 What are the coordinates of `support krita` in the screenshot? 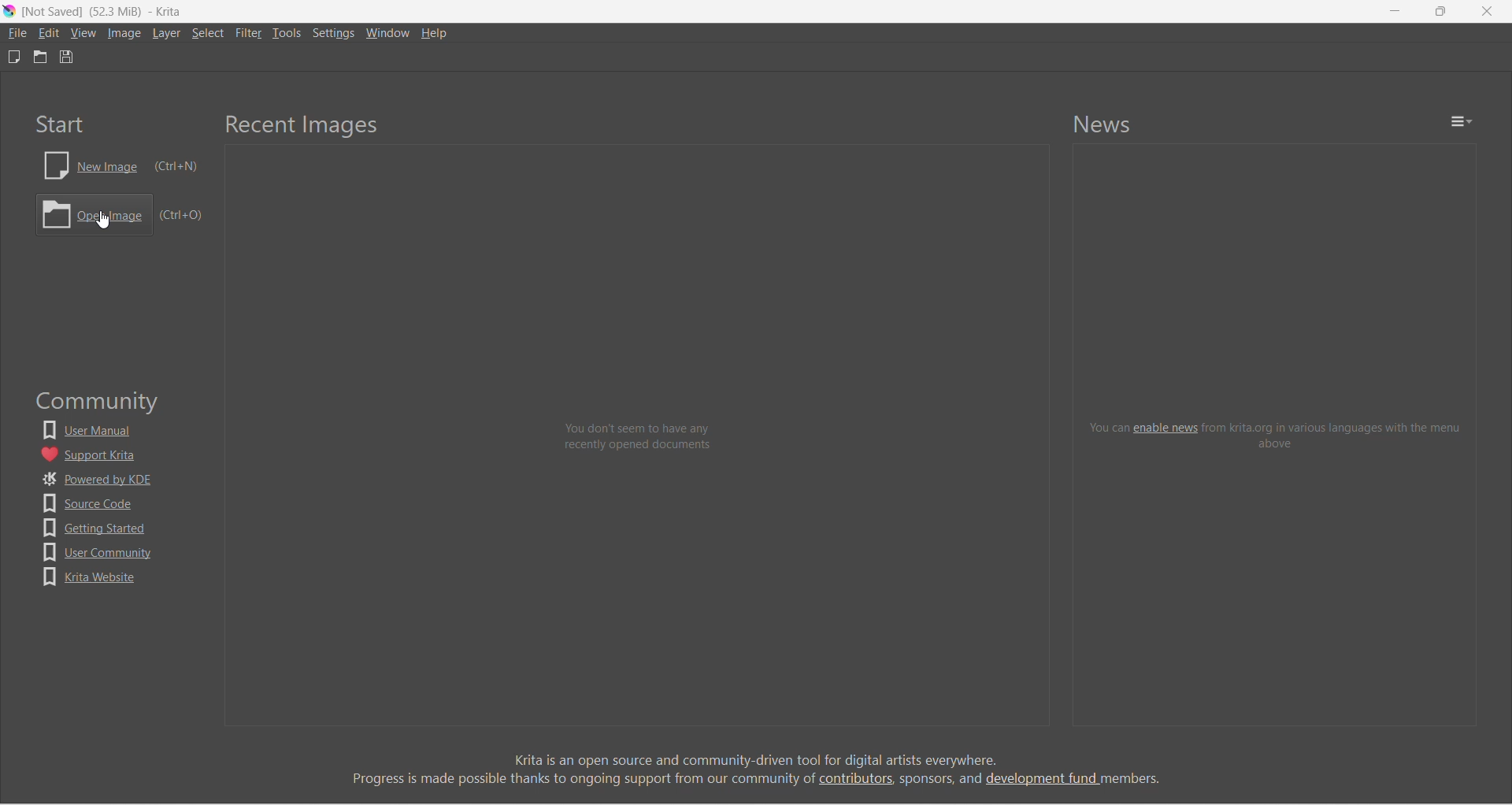 It's located at (93, 454).